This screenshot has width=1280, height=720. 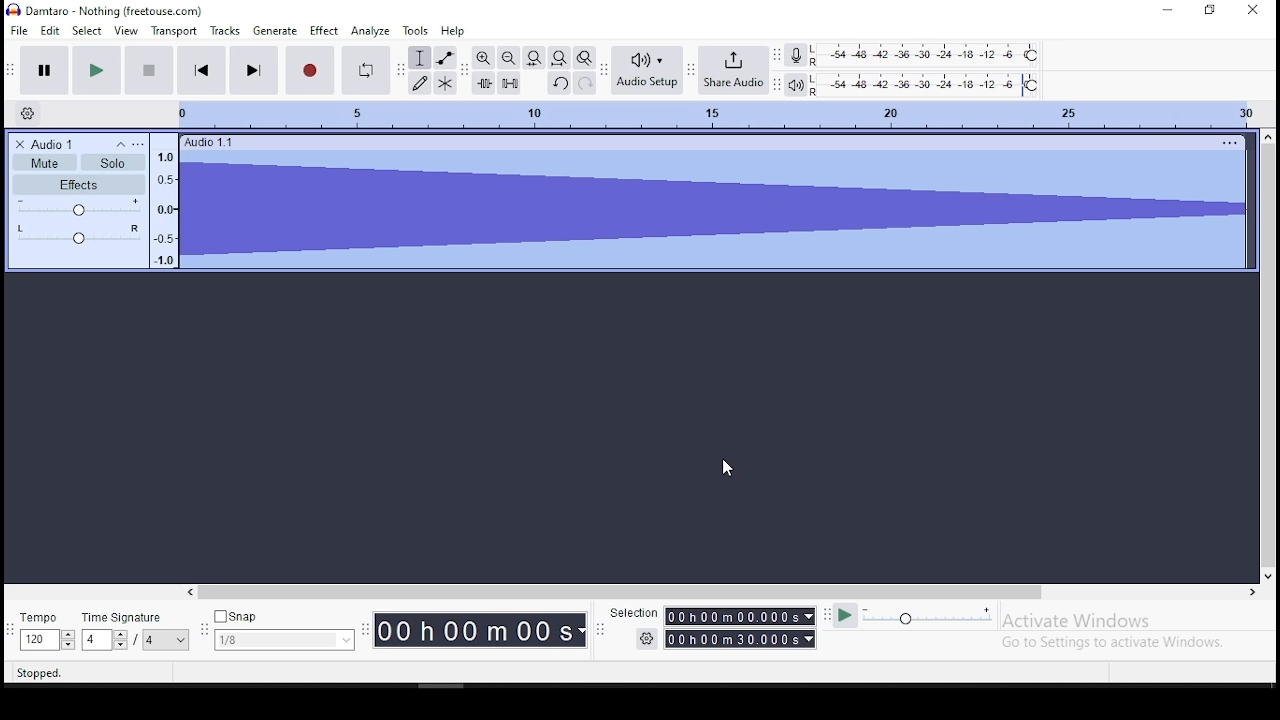 What do you see at coordinates (47, 631) in the screenshot?
I see `tempo` at bounding box center [47, 631].